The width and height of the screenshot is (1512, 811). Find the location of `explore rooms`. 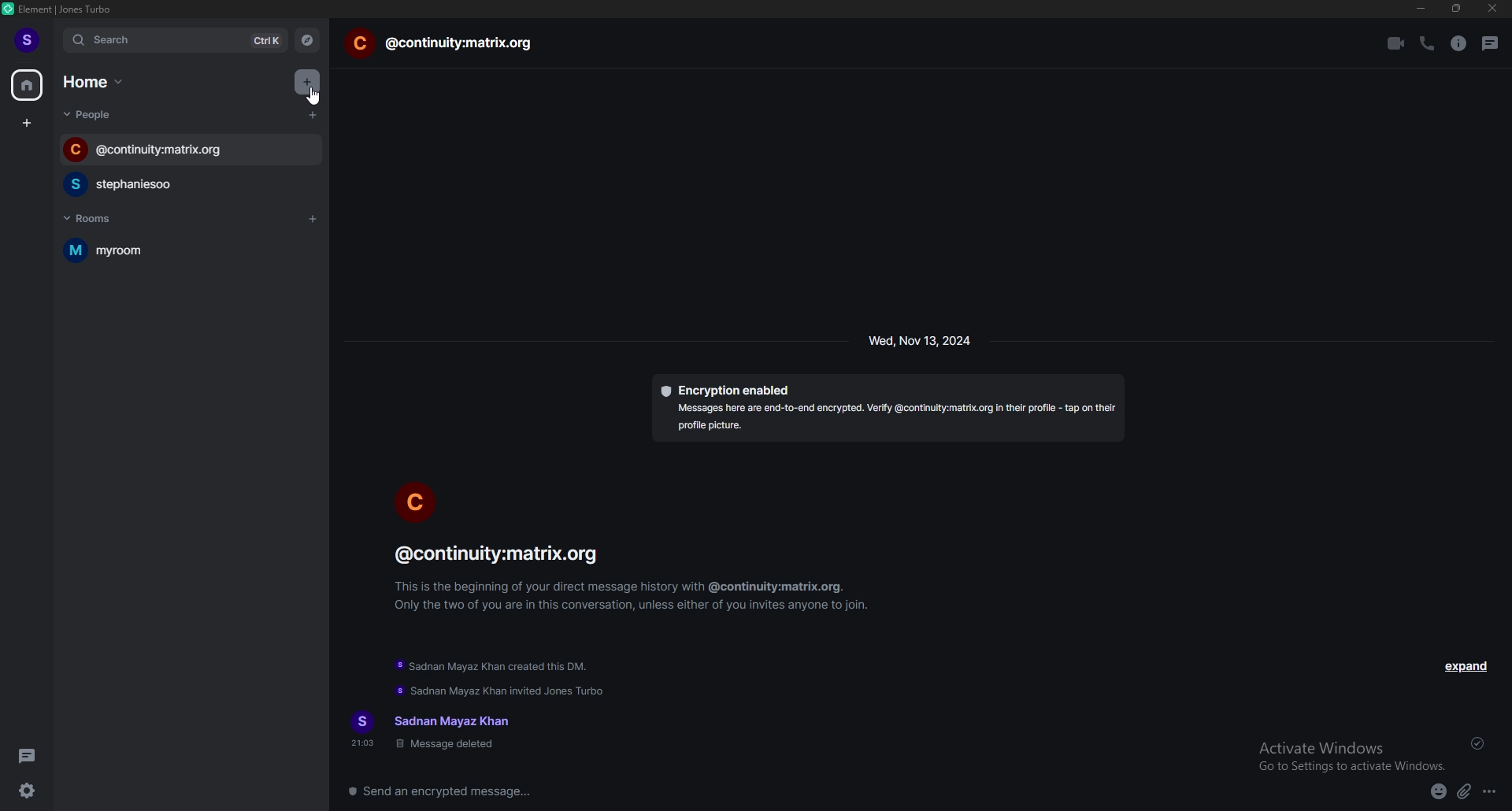

explore rooms is located at coordinates (308, 40).